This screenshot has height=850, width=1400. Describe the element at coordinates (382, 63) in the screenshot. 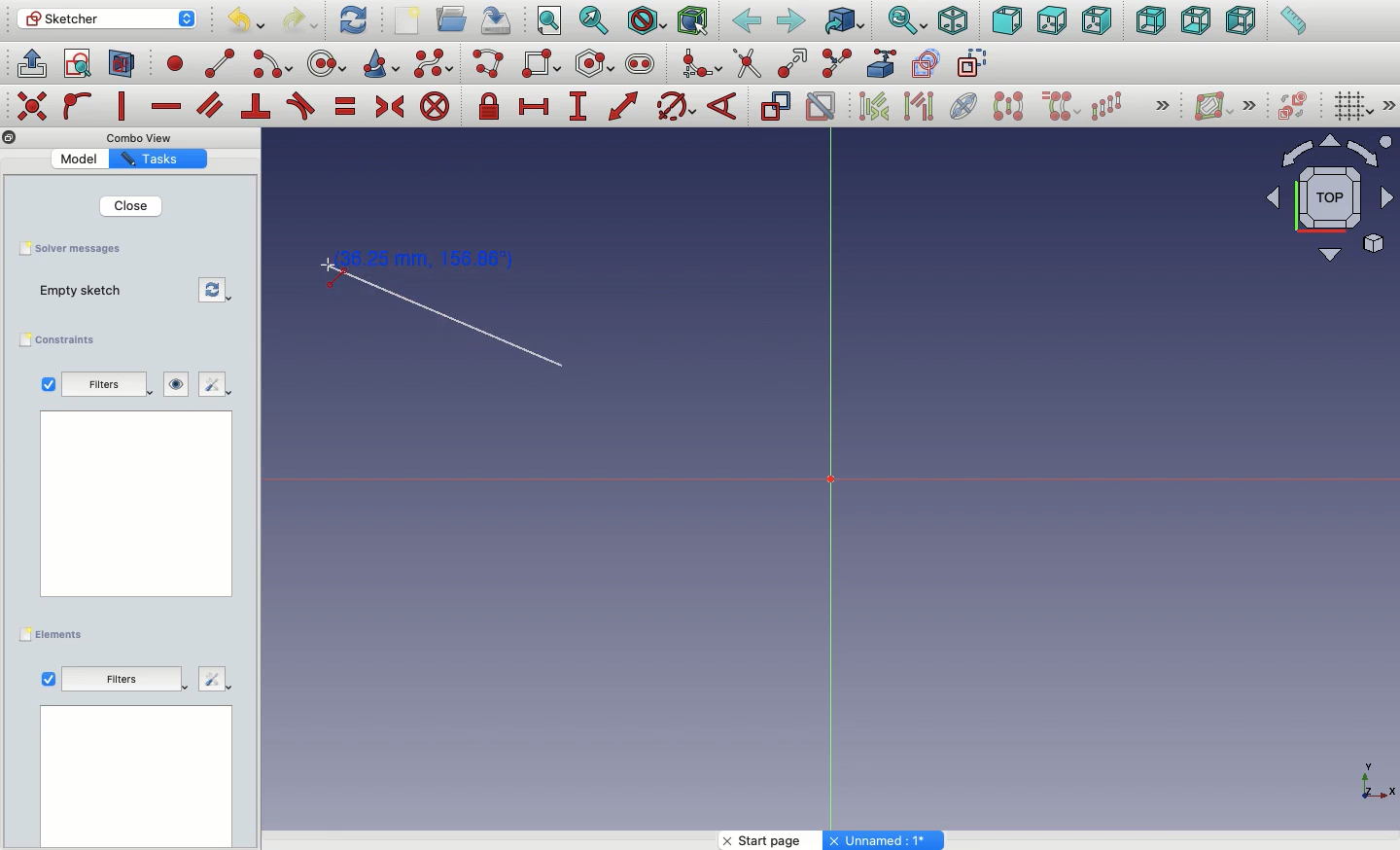

I see `Conci` at that location.